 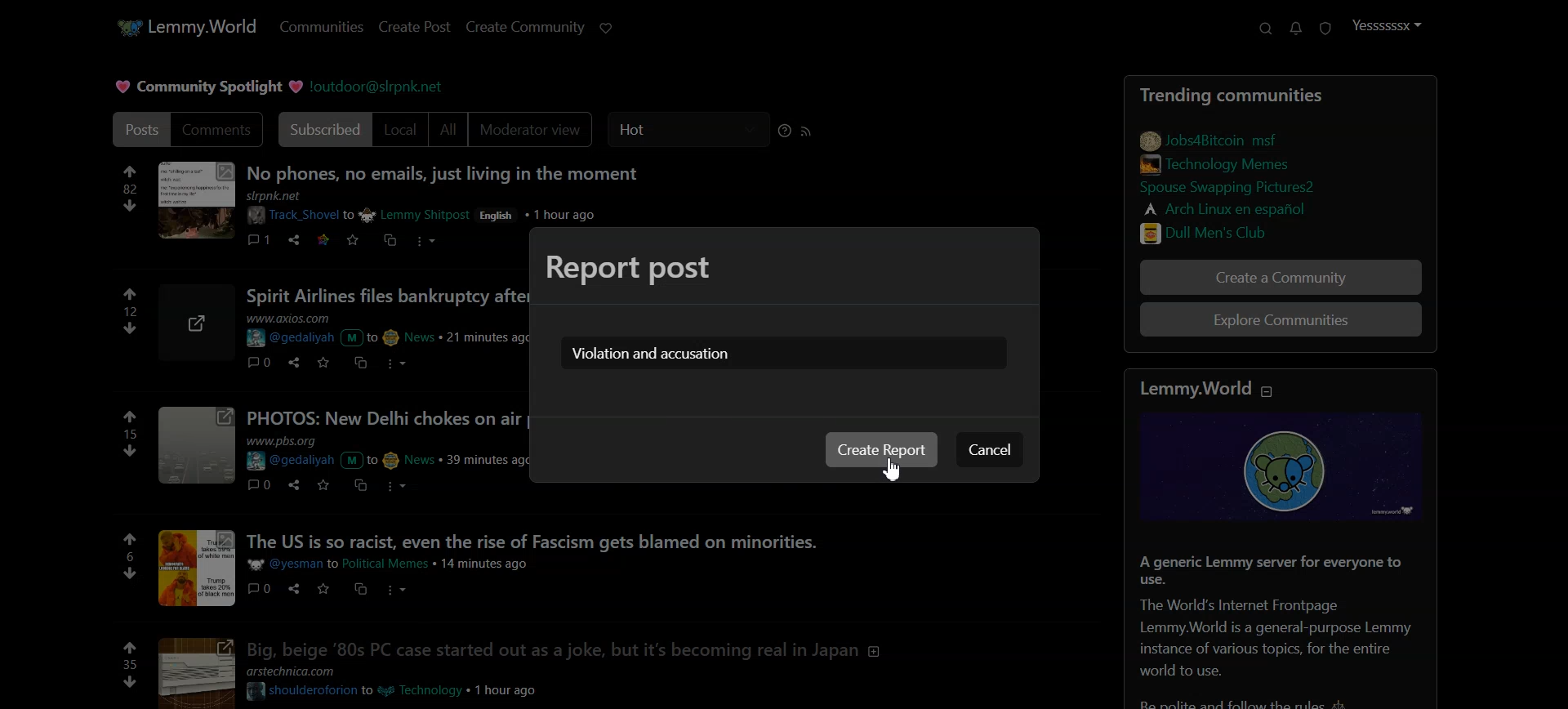 What do you see at coordinates (428, 243) in the screenshot?
I see `more` at bounding box center [428, 243].